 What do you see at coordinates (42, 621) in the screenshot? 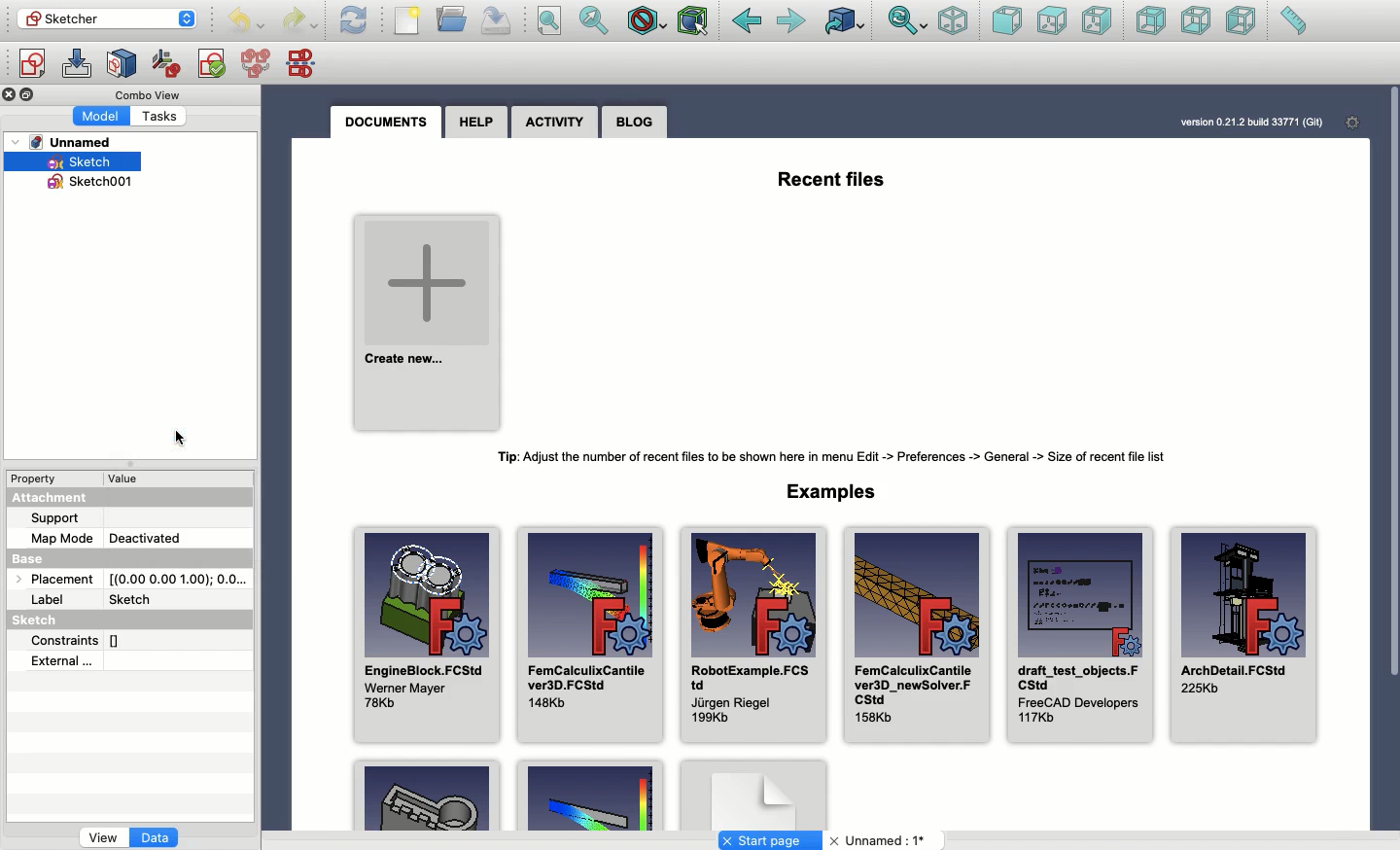
I see `Sketch` at bounding box center [42, 621].